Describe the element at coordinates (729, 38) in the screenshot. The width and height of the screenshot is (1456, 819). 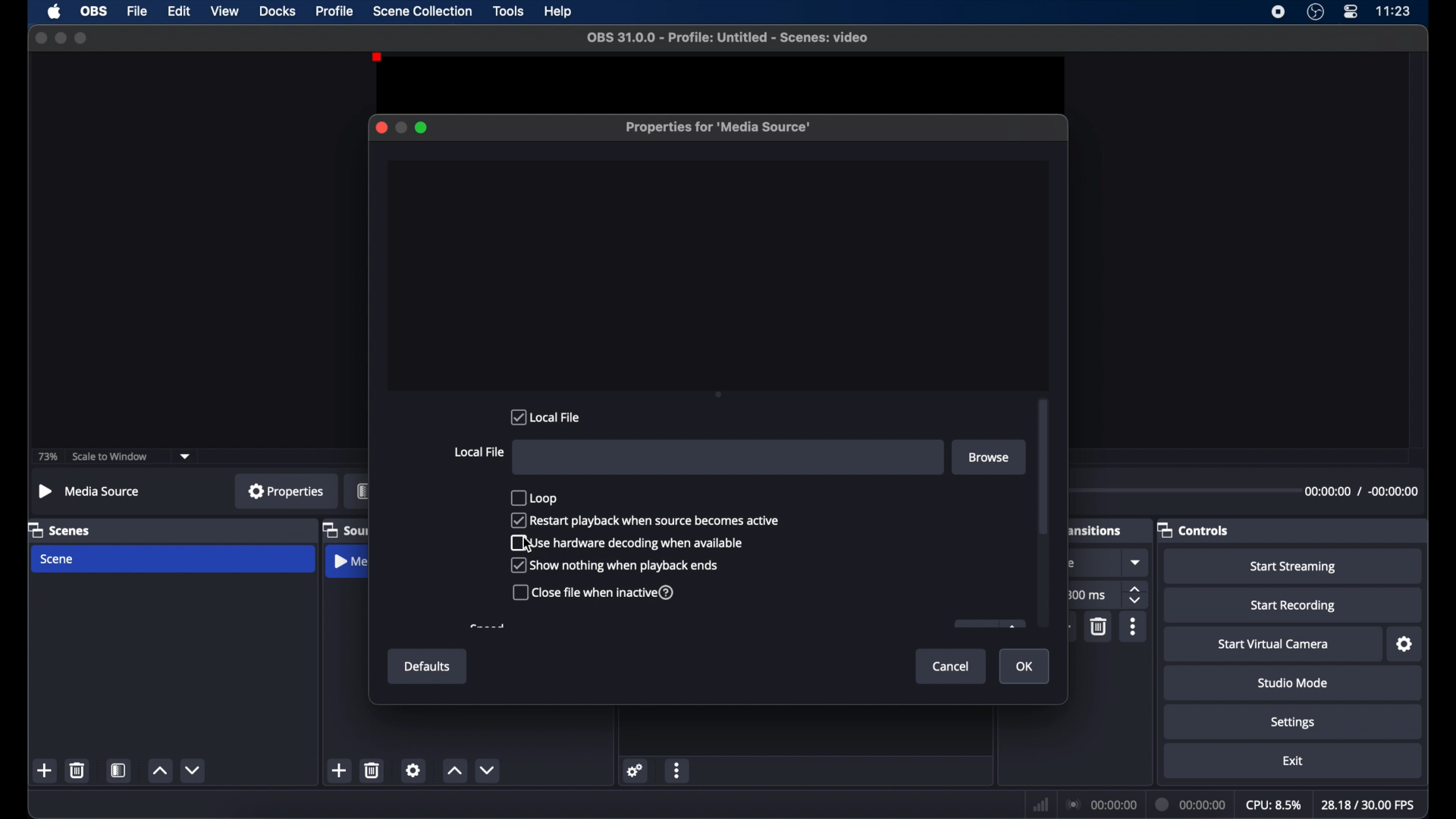
I see `file name` at that location.